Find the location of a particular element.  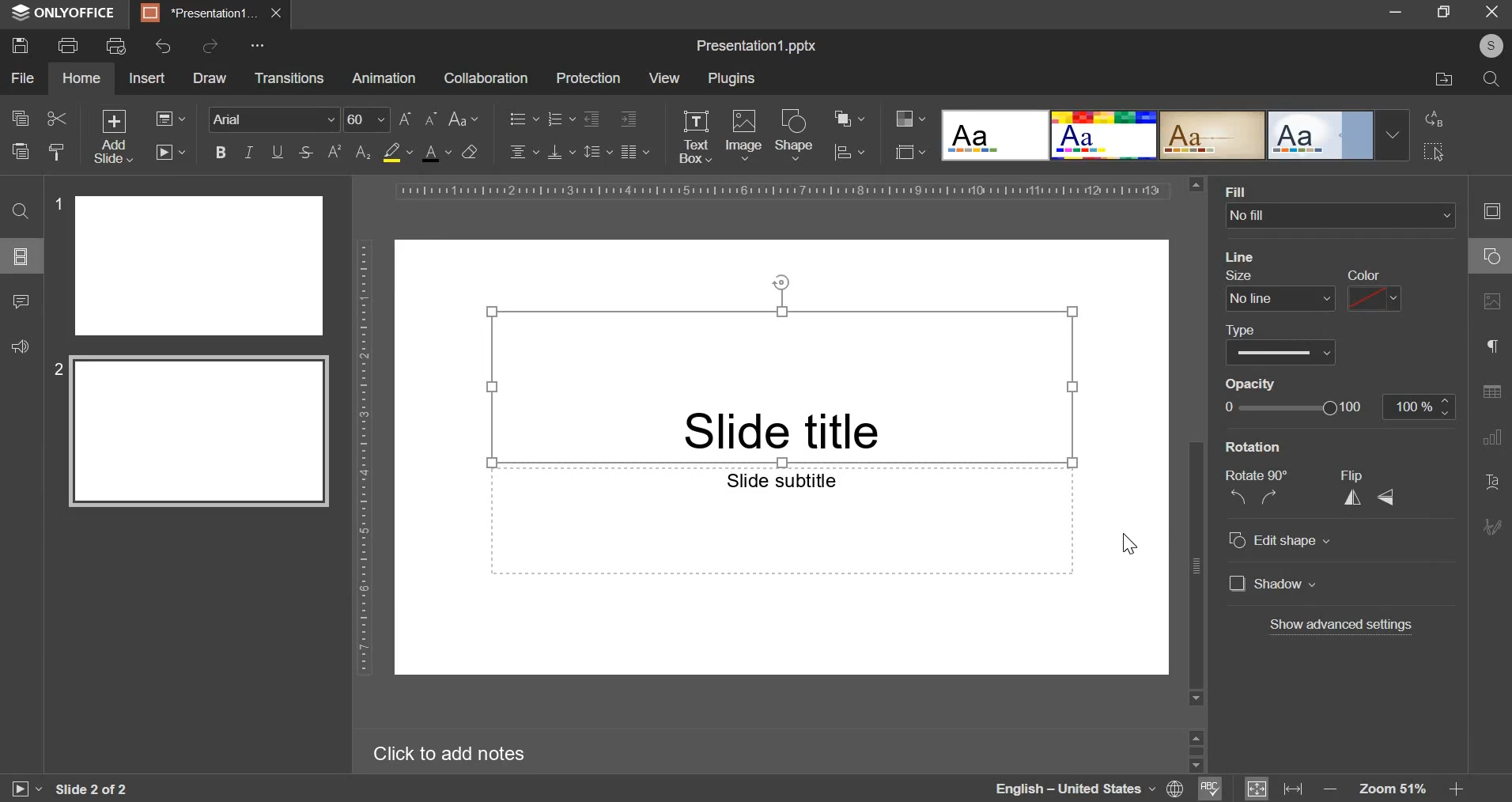

slide title is located at coordinates (781, 385).